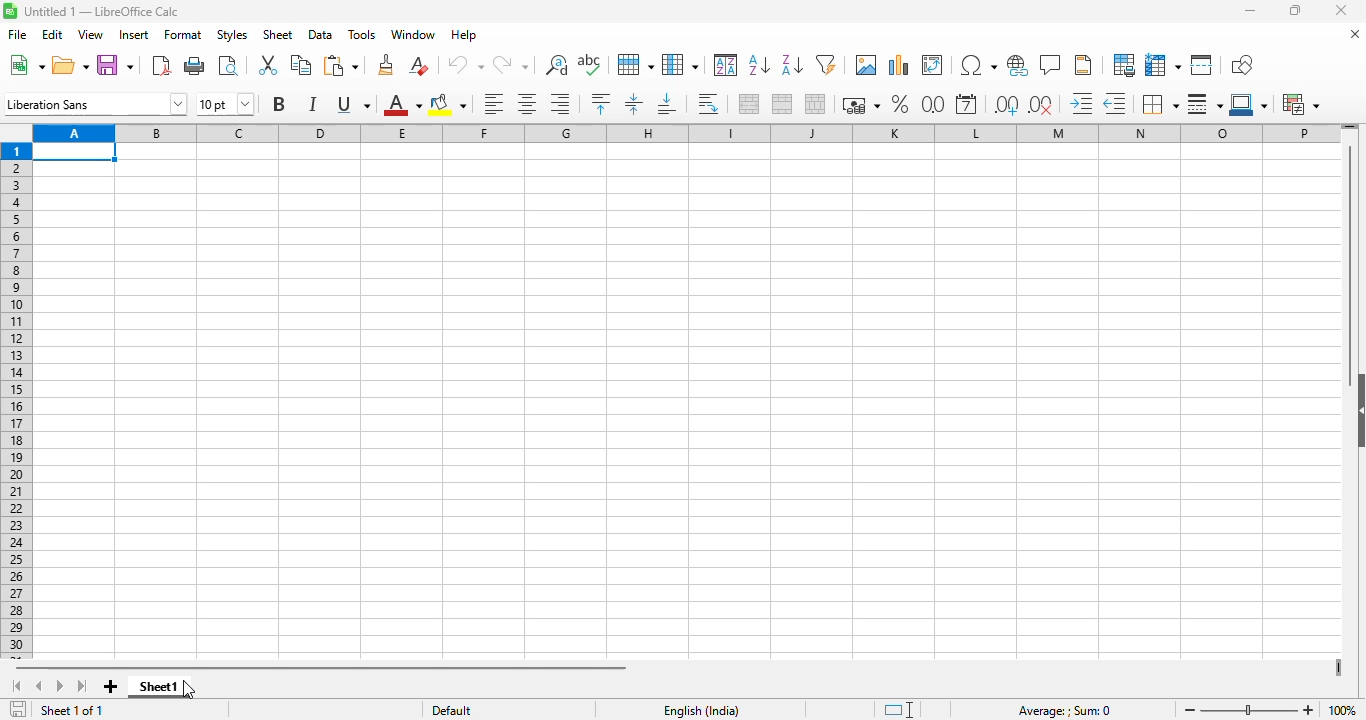 The width and height of the screenshot is (1366, 720). I want to click on autoFilter, so click(826, 65).